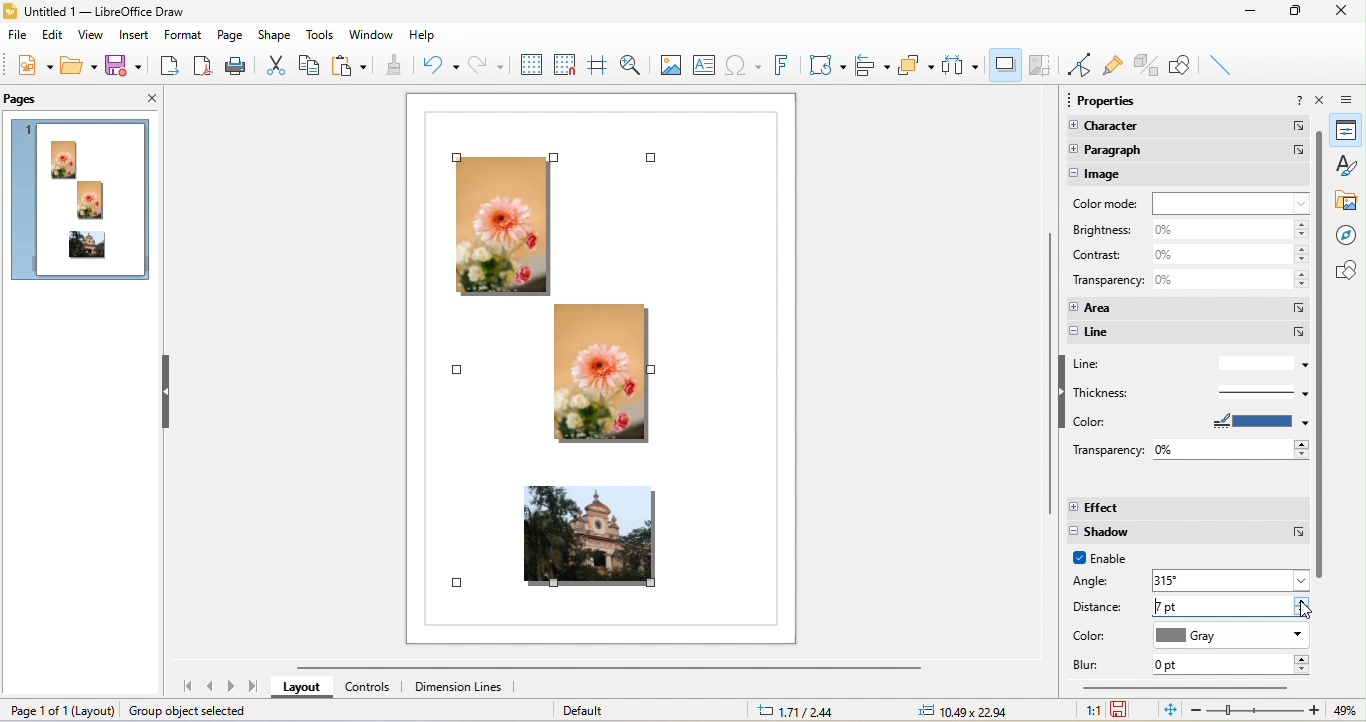 The height and width of the screenshot is (722, 1366). Describe the element at coordinates (275, 64) in the screenshot. I see `cut` at that location.